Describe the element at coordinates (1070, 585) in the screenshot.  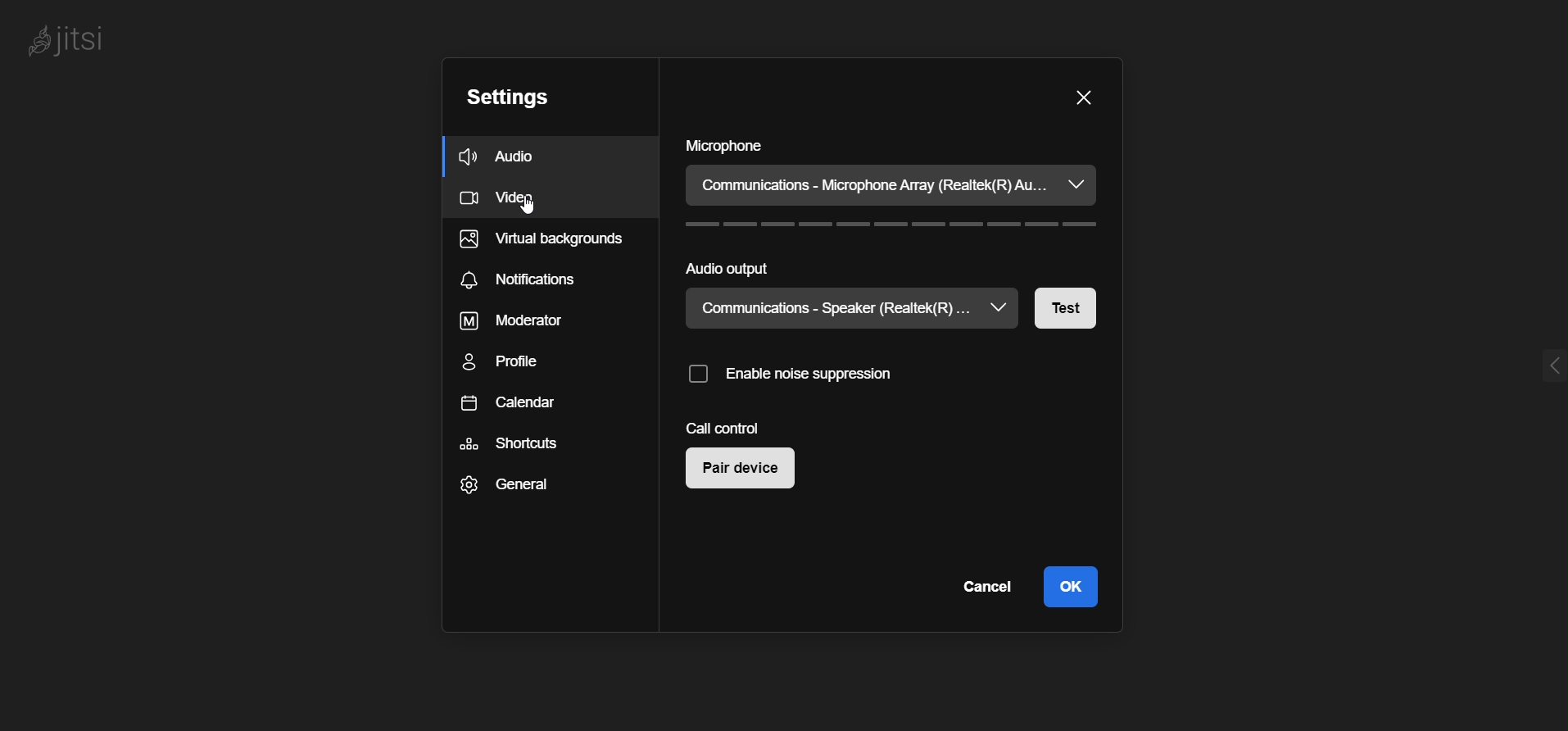
I see `ok` at that location.